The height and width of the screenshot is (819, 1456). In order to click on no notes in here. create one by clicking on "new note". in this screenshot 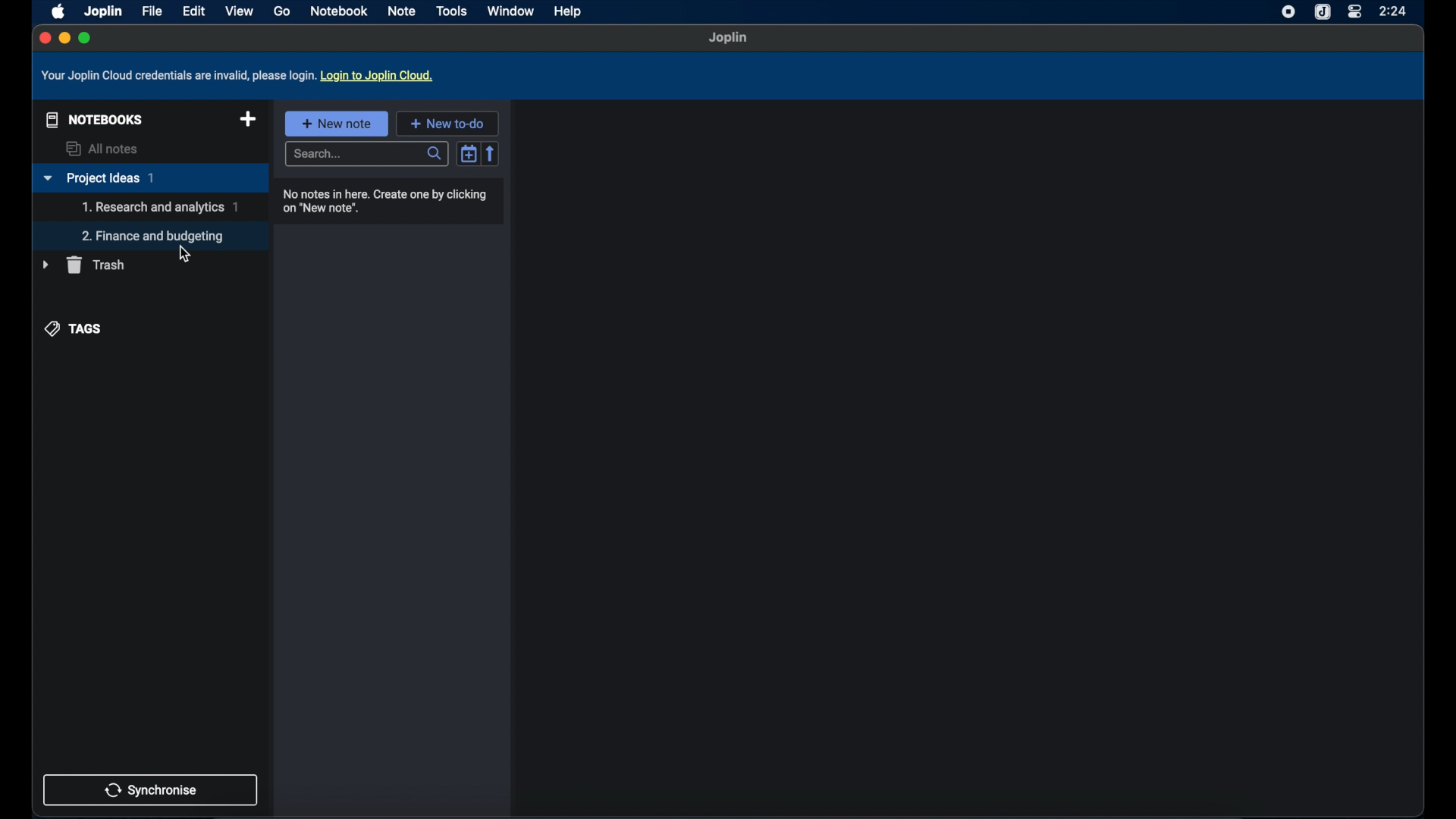, I will do `click(388, 201)`.